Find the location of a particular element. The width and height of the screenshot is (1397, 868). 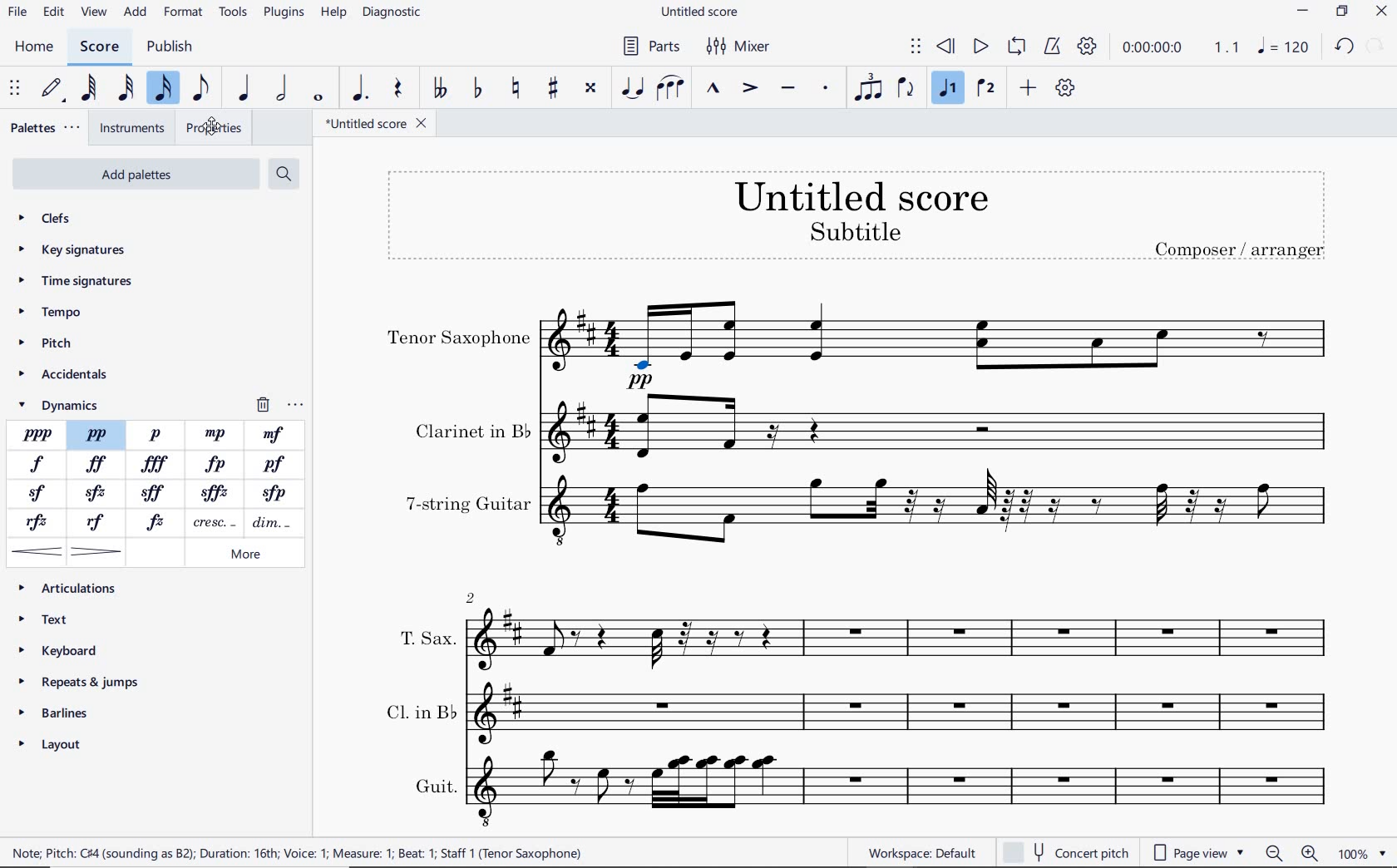

cursor is located at coordinates (214, 124).